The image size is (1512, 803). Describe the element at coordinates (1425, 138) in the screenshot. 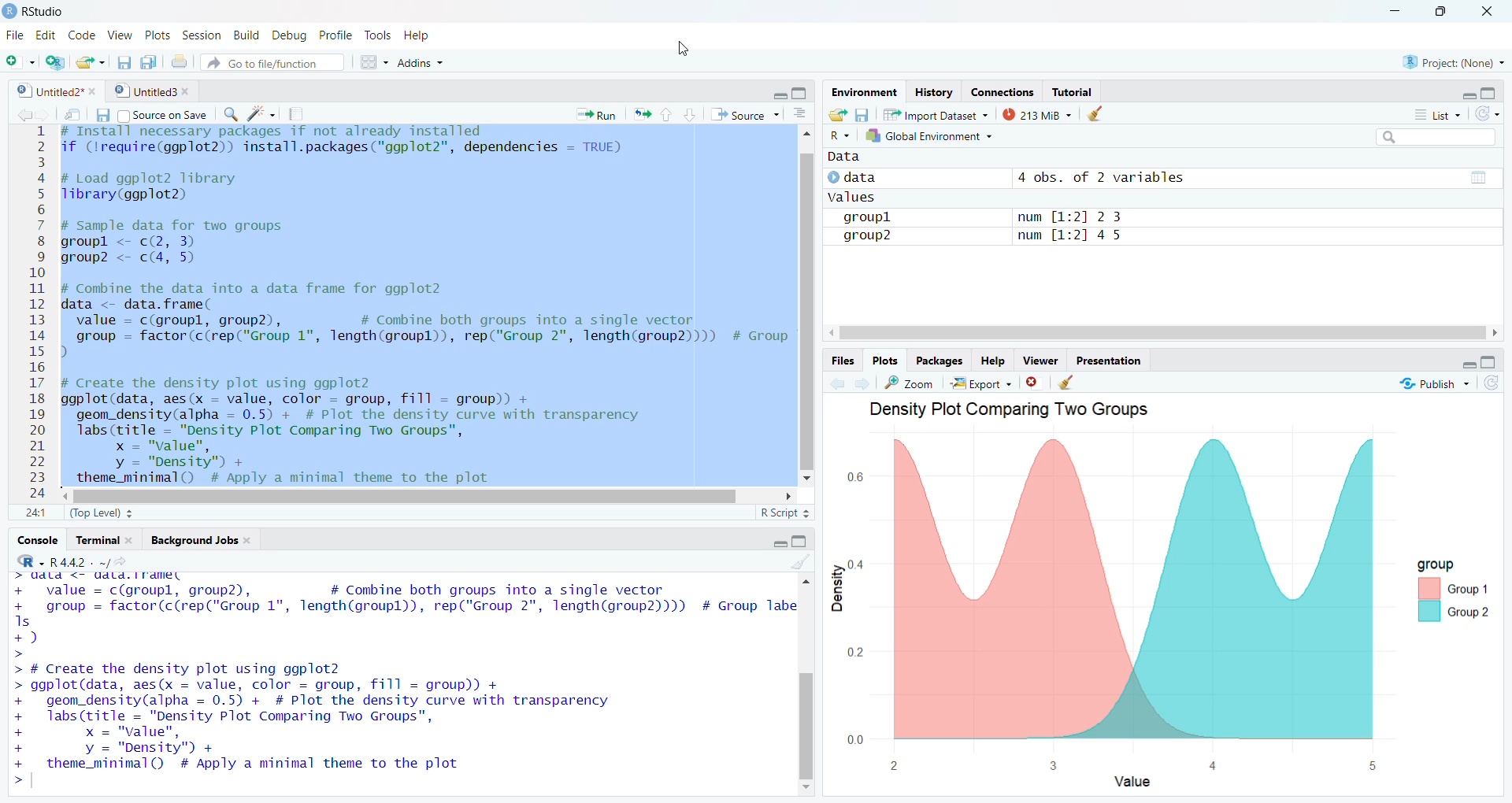

I see `Search bar` at that location.